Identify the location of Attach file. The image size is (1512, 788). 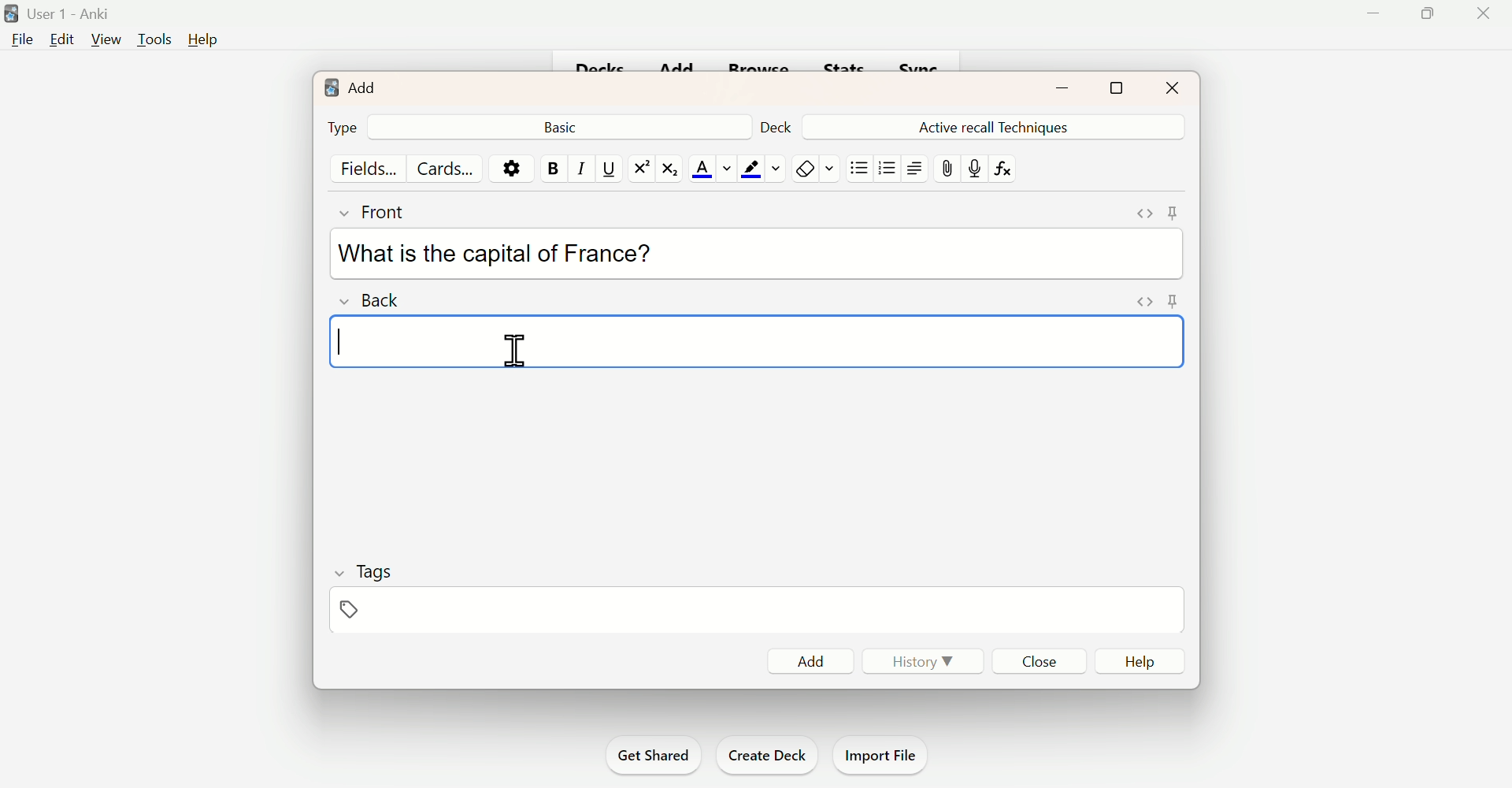
(949, 170).